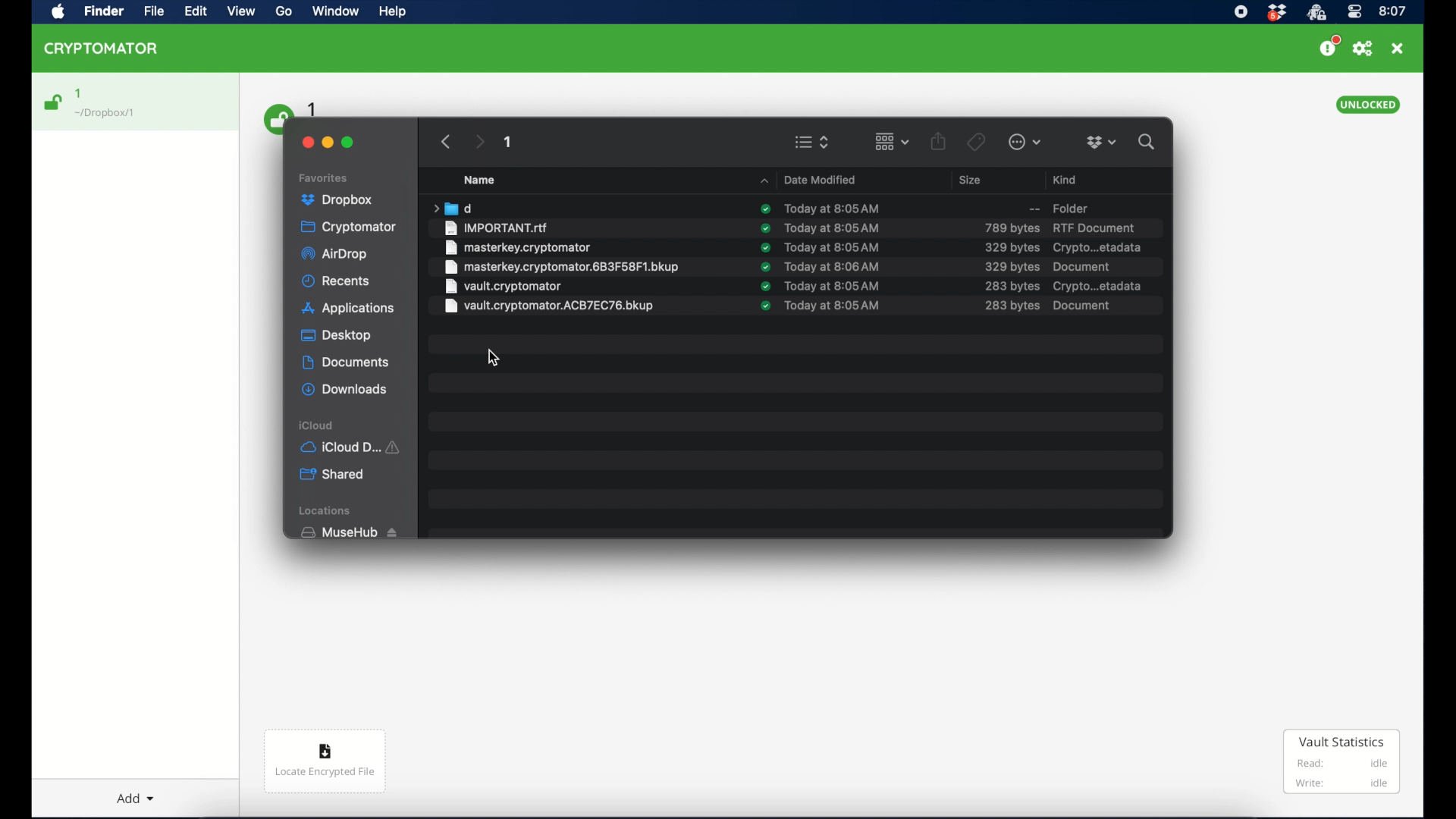 The image size is (1456, 819). What do you see at coordinates (394, 14) in the screenshot?
I see `Help` at bounding box center [394, 14].